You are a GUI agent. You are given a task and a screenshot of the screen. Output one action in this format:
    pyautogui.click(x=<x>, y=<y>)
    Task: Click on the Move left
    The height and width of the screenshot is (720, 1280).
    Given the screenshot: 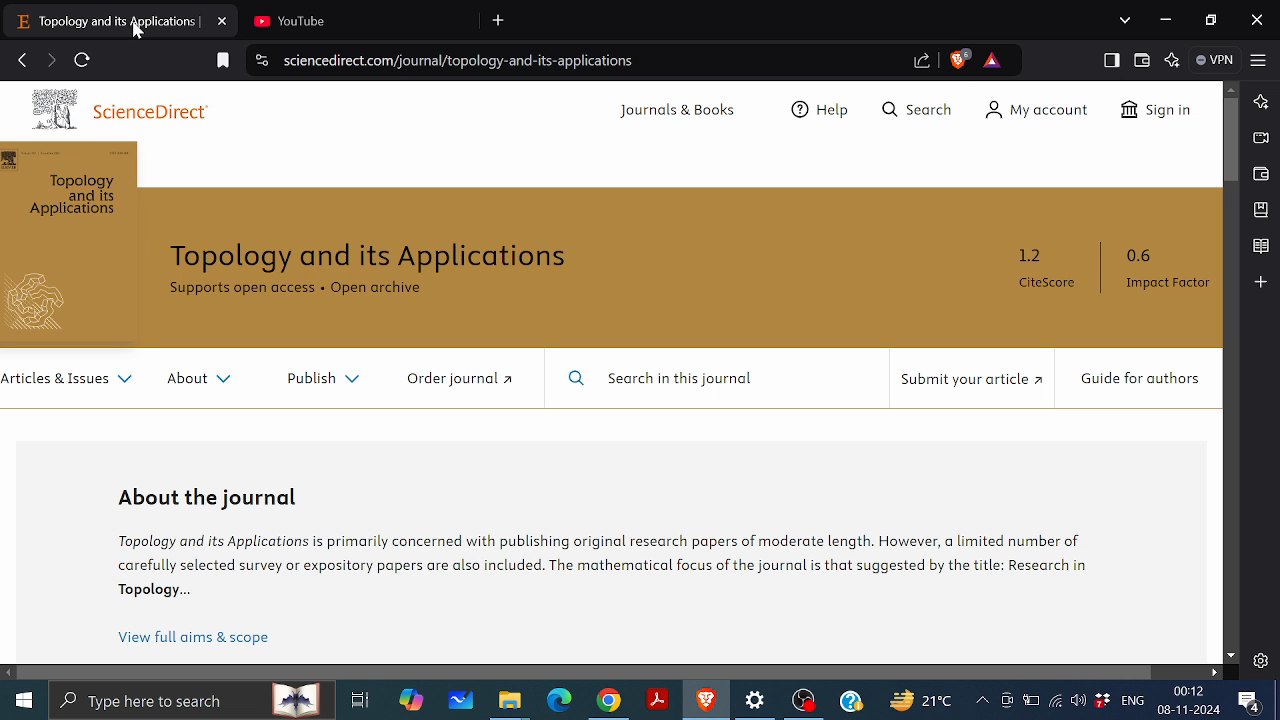 What is the action you would take?
    pyautogui.click(x=9, y=673)
    